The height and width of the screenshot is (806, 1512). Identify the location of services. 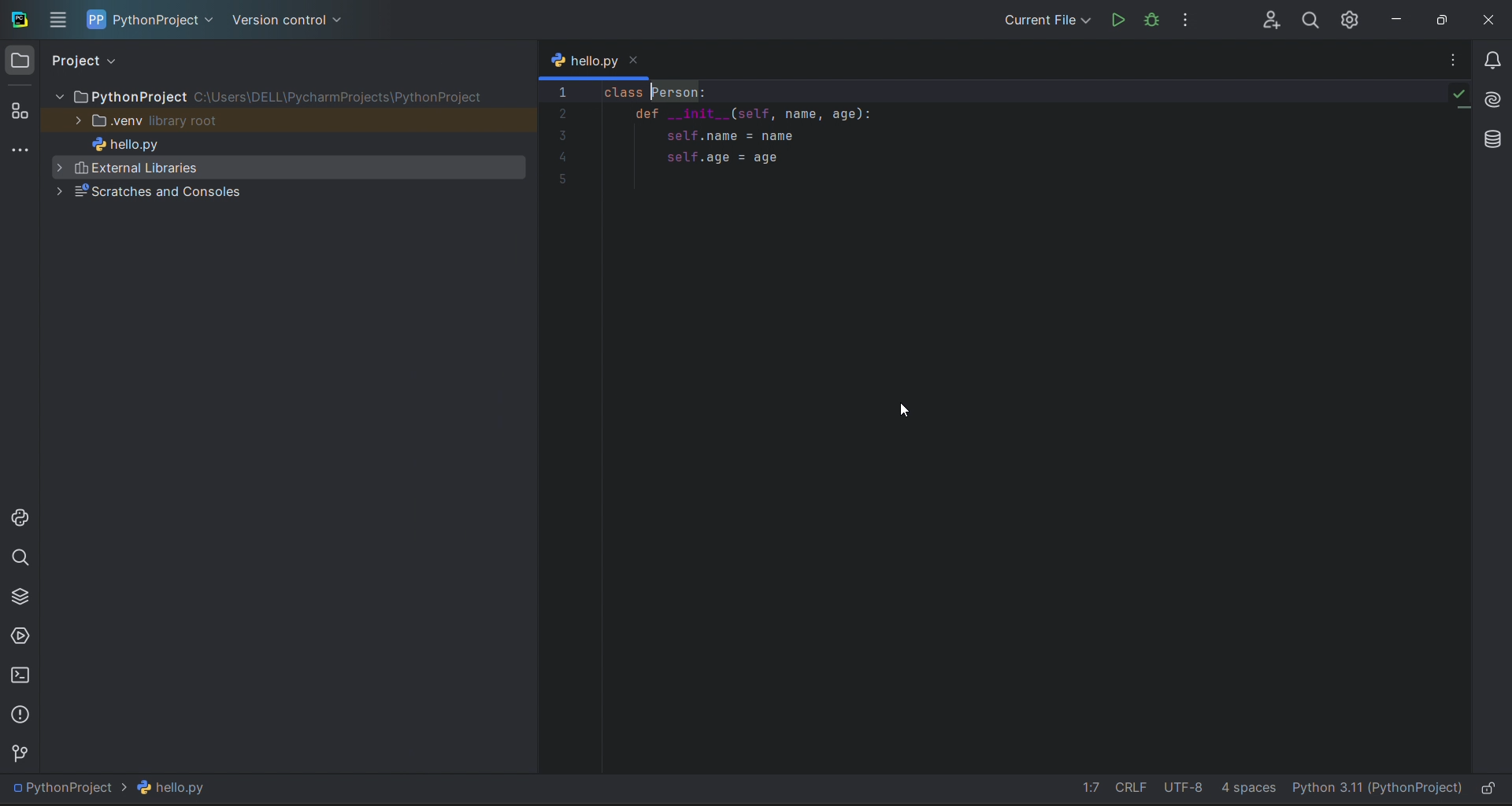
(20, 634).